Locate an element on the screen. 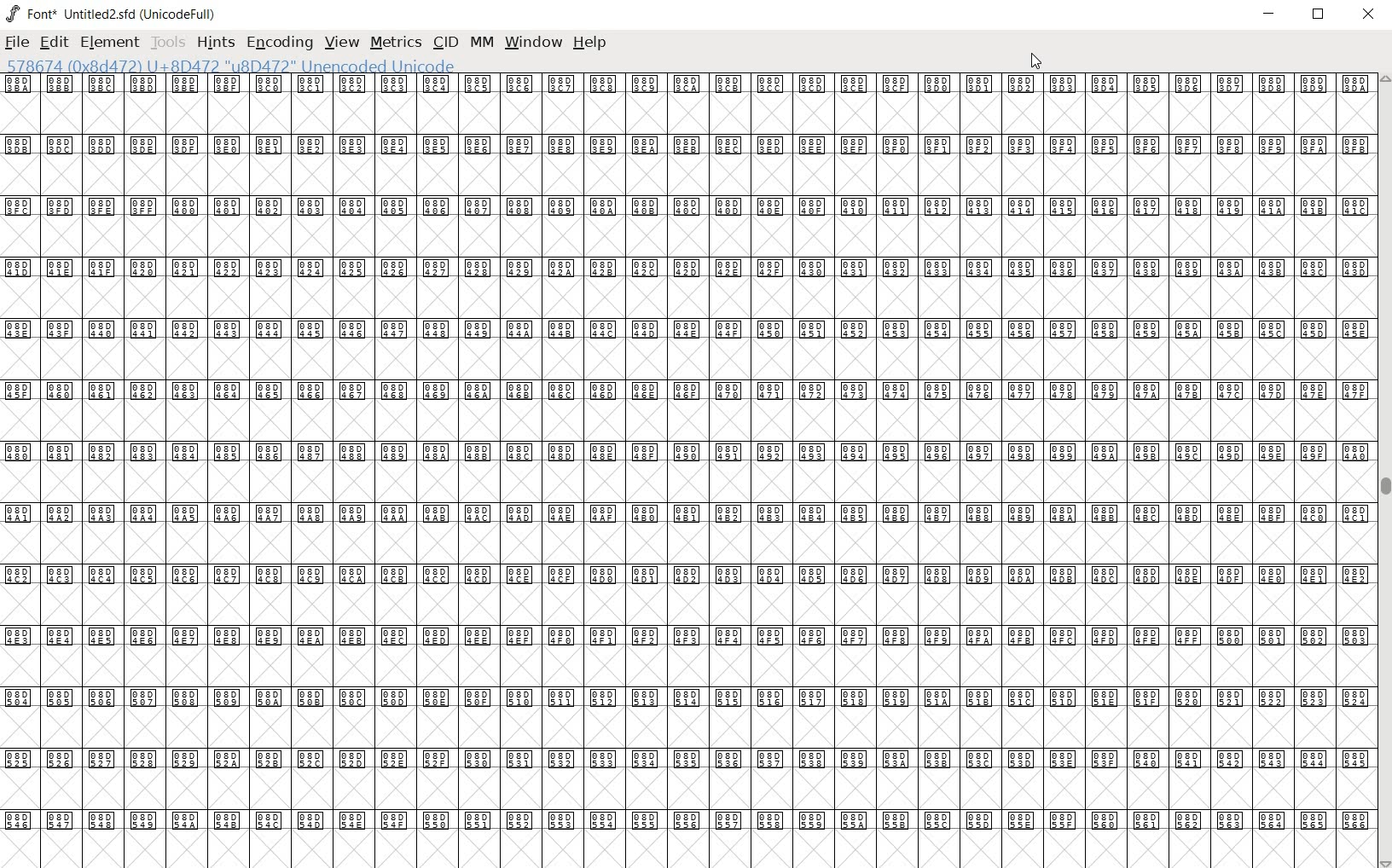  element is located at coordinates (109, 42).